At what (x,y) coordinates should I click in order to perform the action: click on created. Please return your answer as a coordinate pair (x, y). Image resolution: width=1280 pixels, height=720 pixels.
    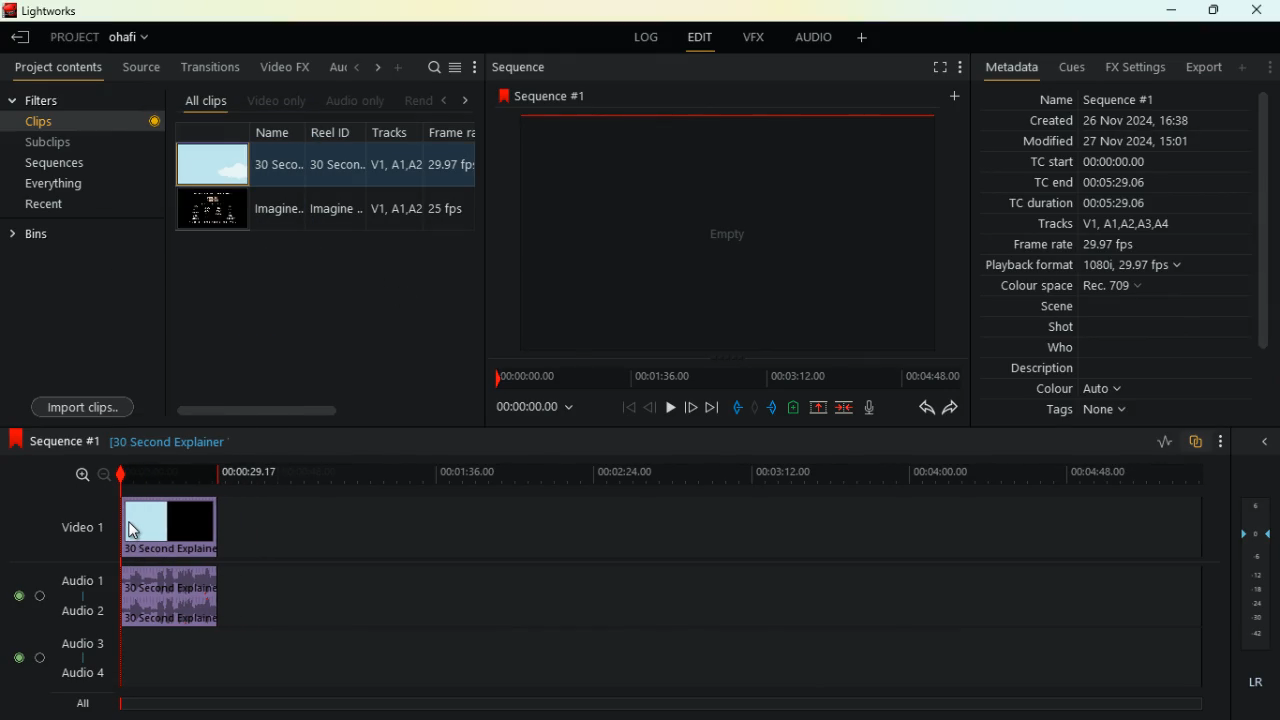
    Looking at the image, I should click on (1118, 119).